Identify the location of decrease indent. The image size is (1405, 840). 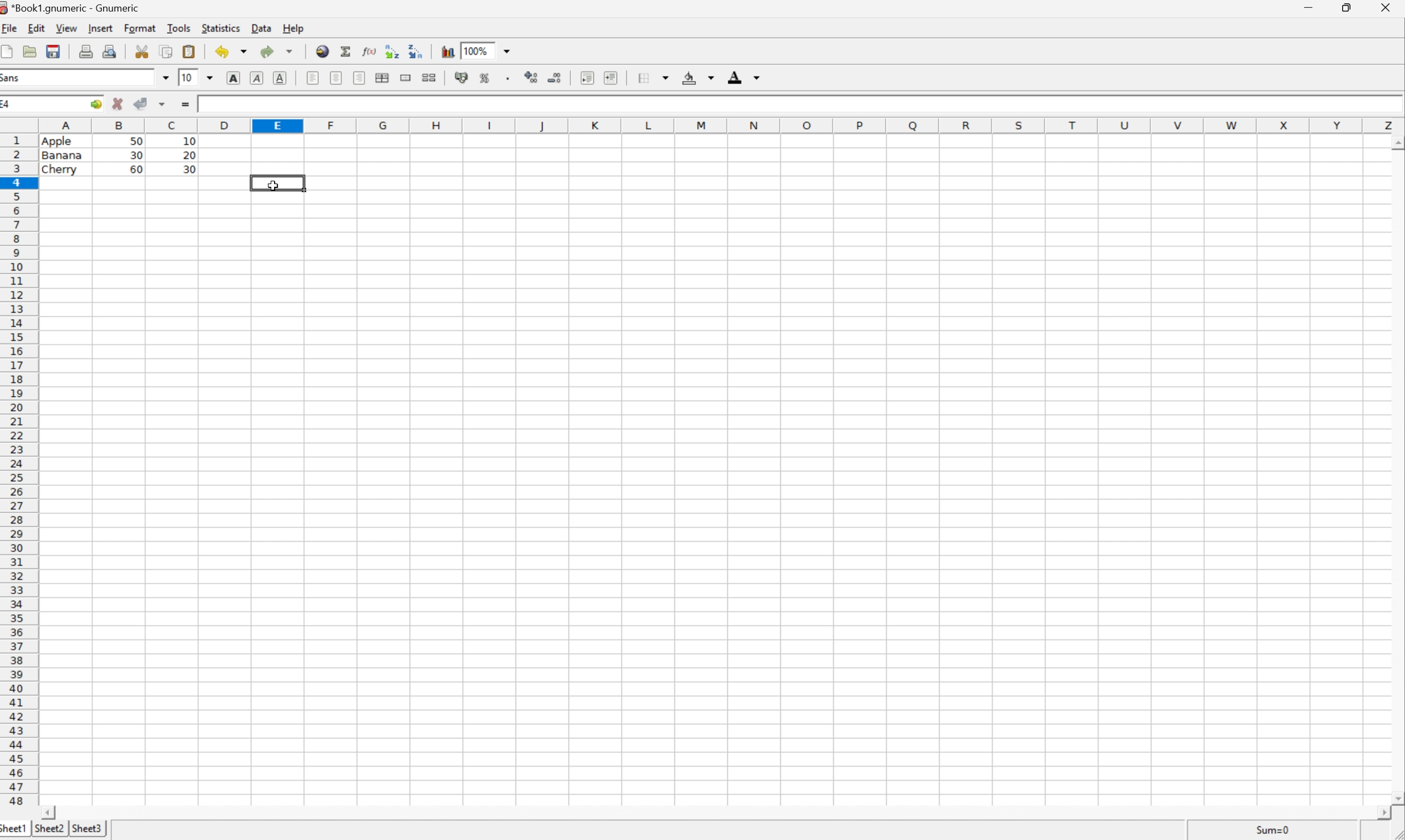
(587, 78).